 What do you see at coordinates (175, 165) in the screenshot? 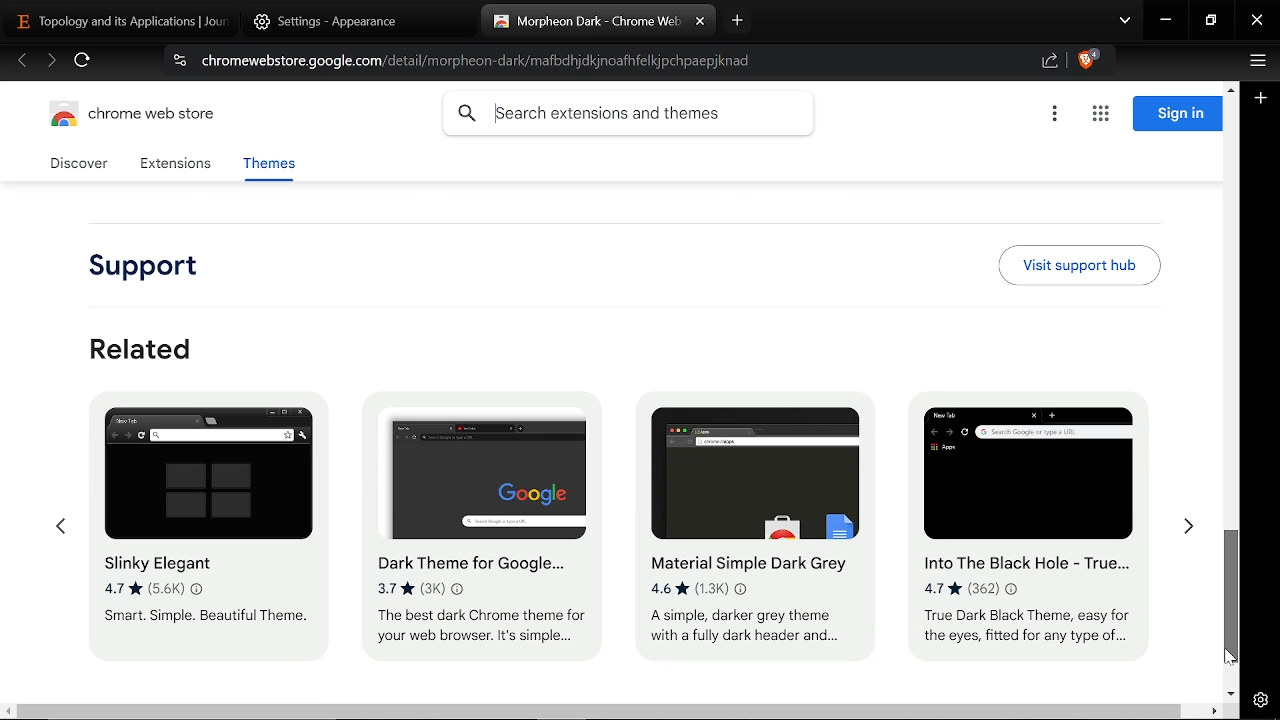
I see `Extensions` at bounding box center [175, 165].